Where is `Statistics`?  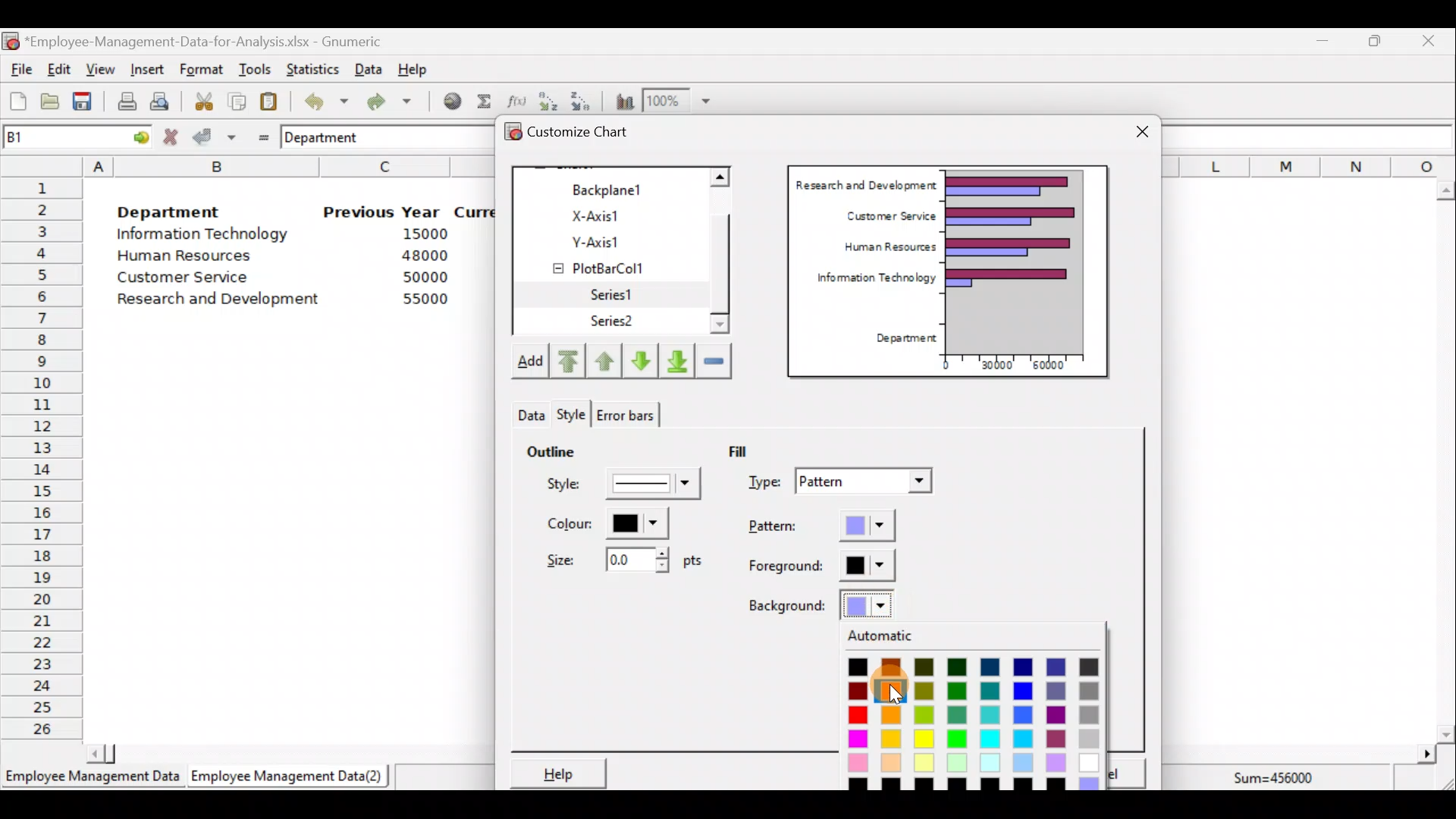
Statistics is located at coordinates (309, 67).